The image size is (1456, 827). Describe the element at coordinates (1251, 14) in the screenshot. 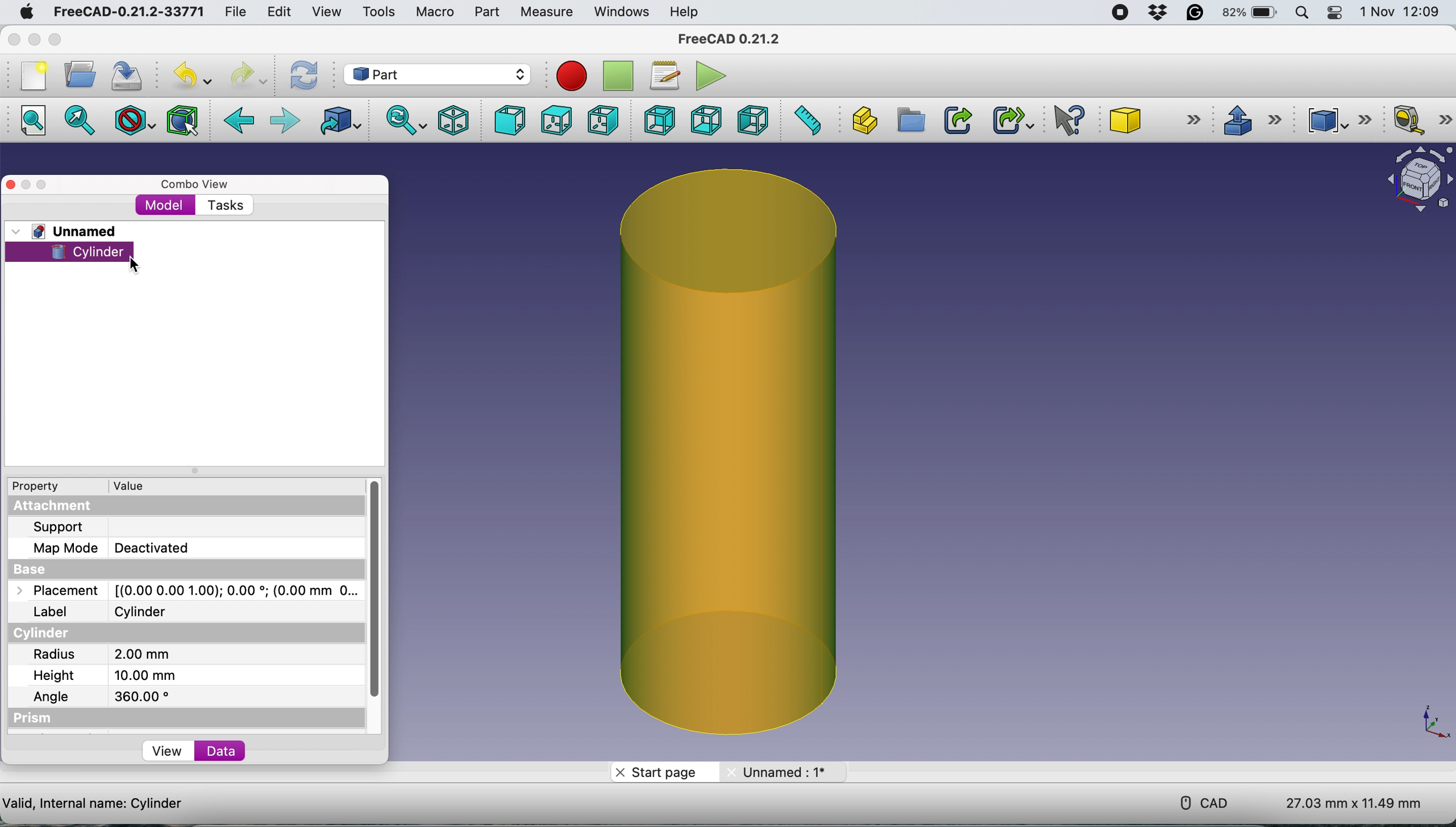

I see `battery` at that location.